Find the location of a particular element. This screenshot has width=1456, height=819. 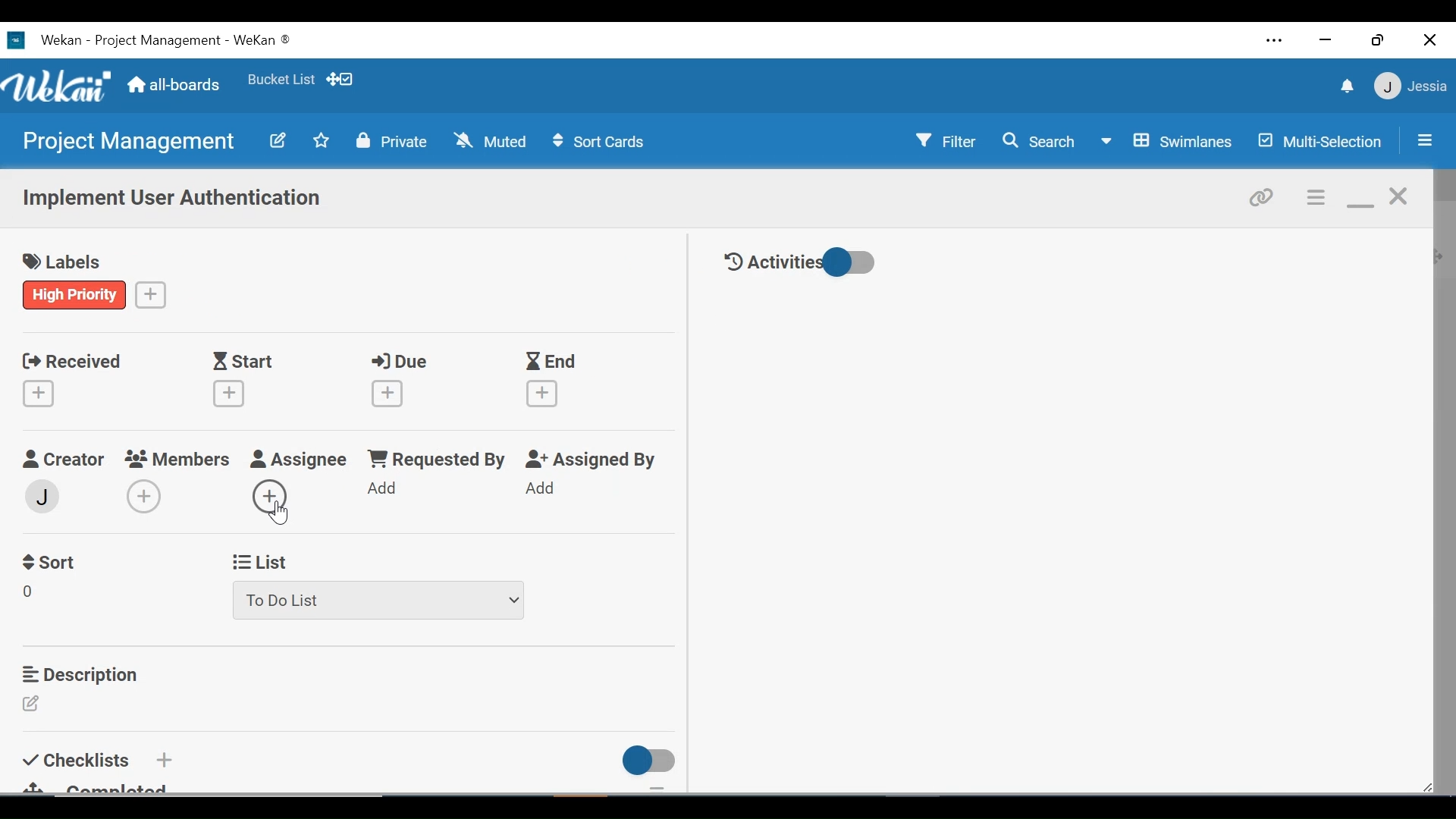

Requested By is located at coordinates (435, 460).